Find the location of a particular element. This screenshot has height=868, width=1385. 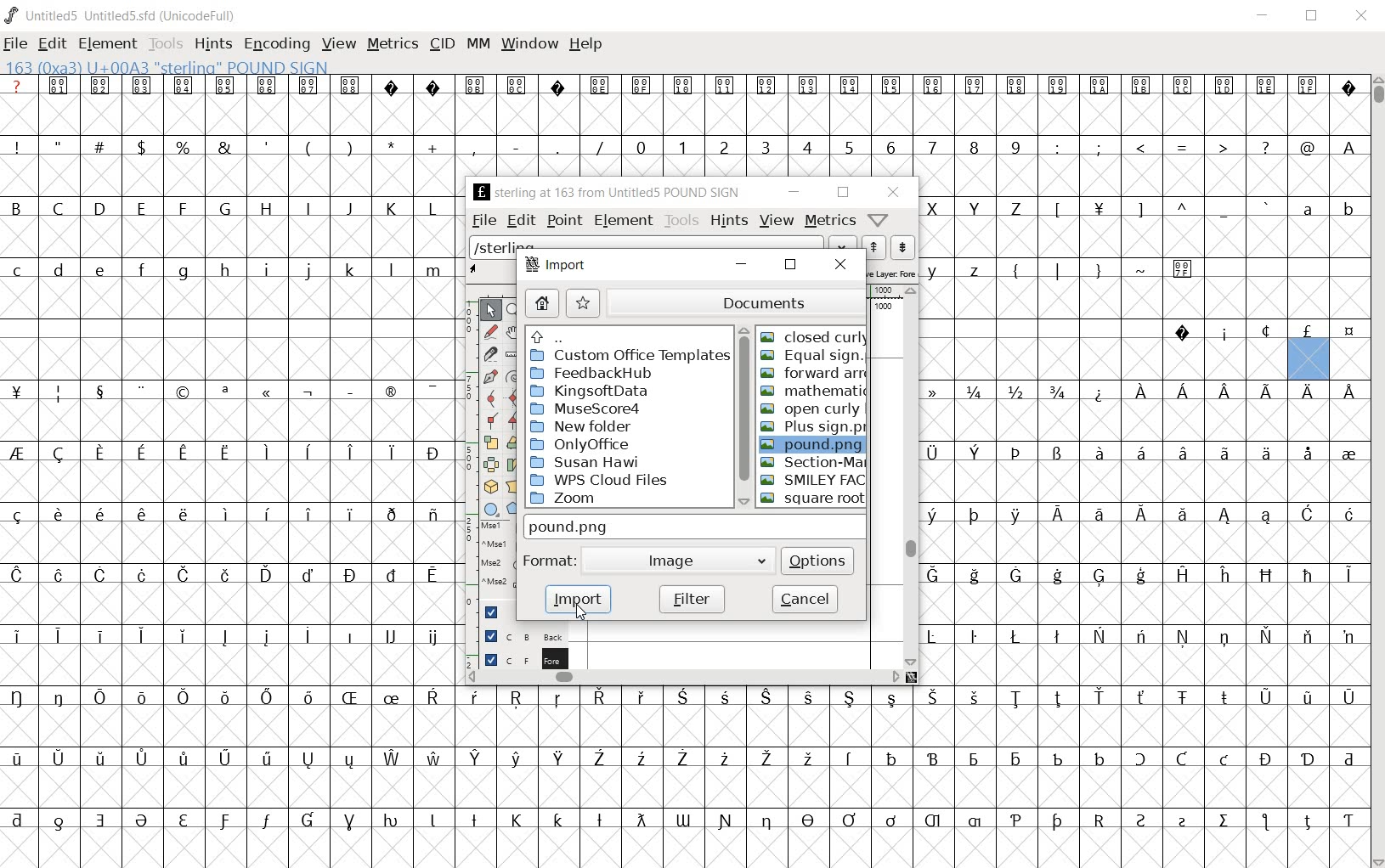

 is located at coordinates (266, 513).